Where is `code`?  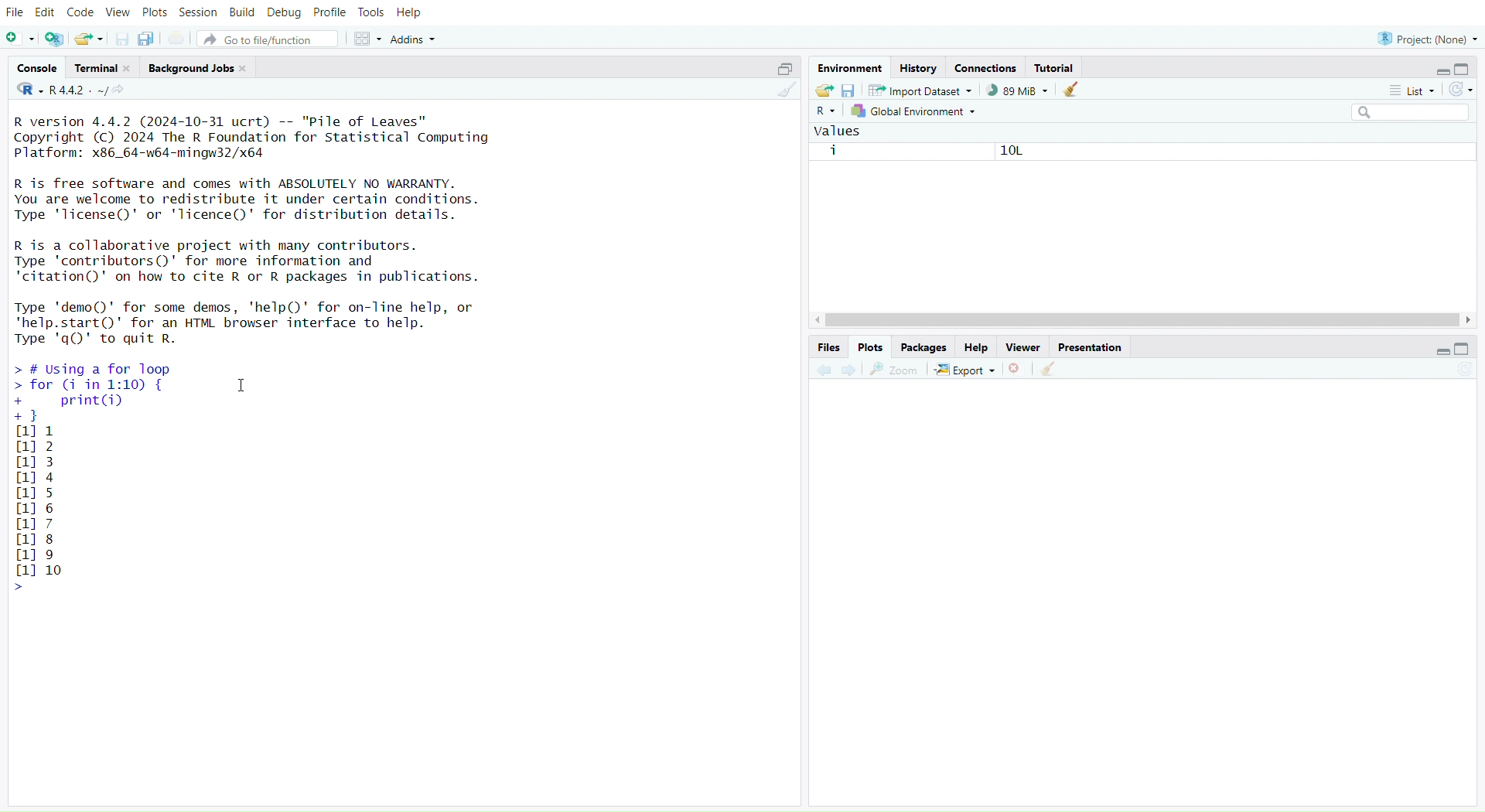 code is located at coordinates (81, 15).